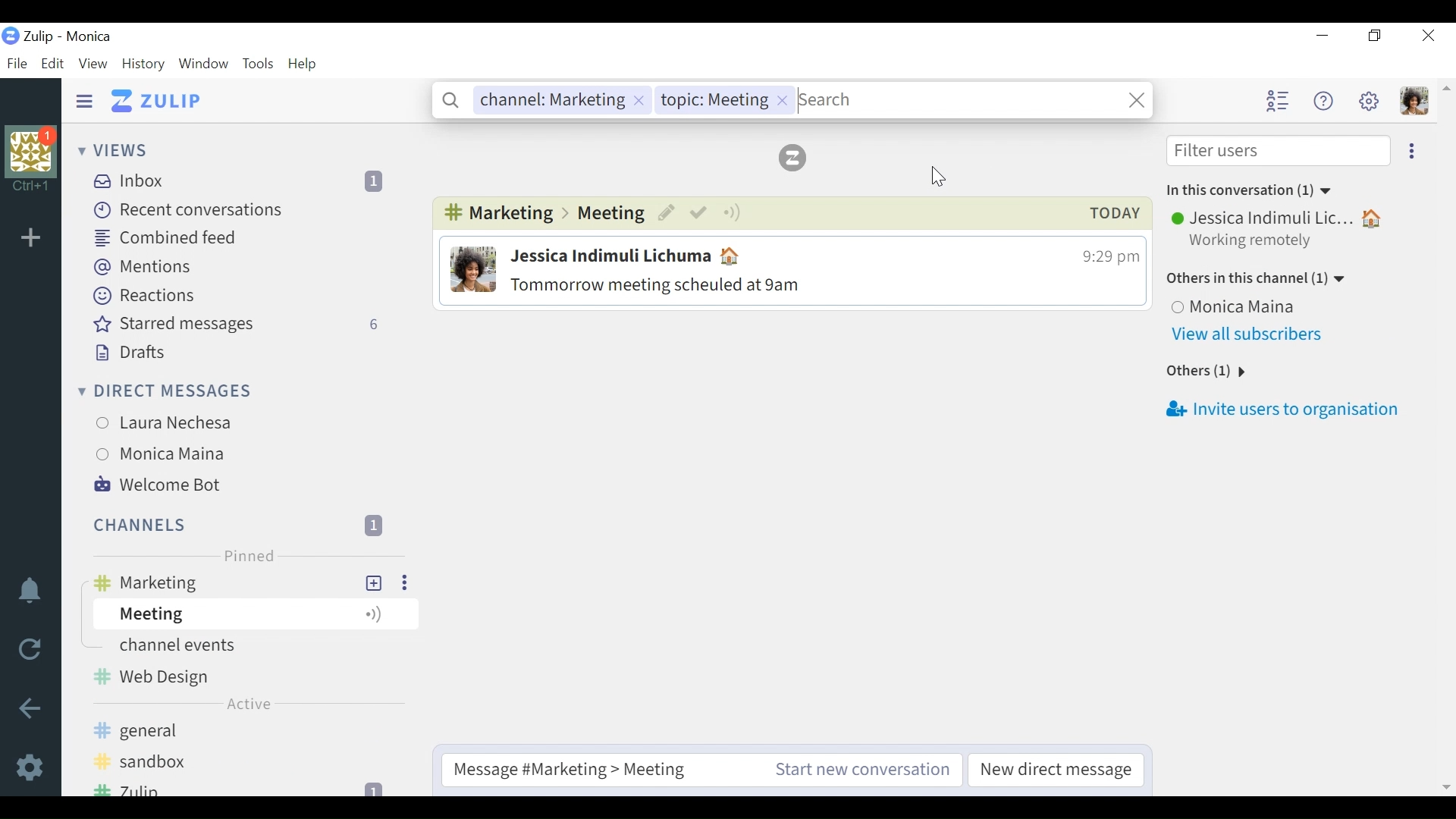 The image size is (1456, 819). I want to click on add new topic, so click(377, 582).